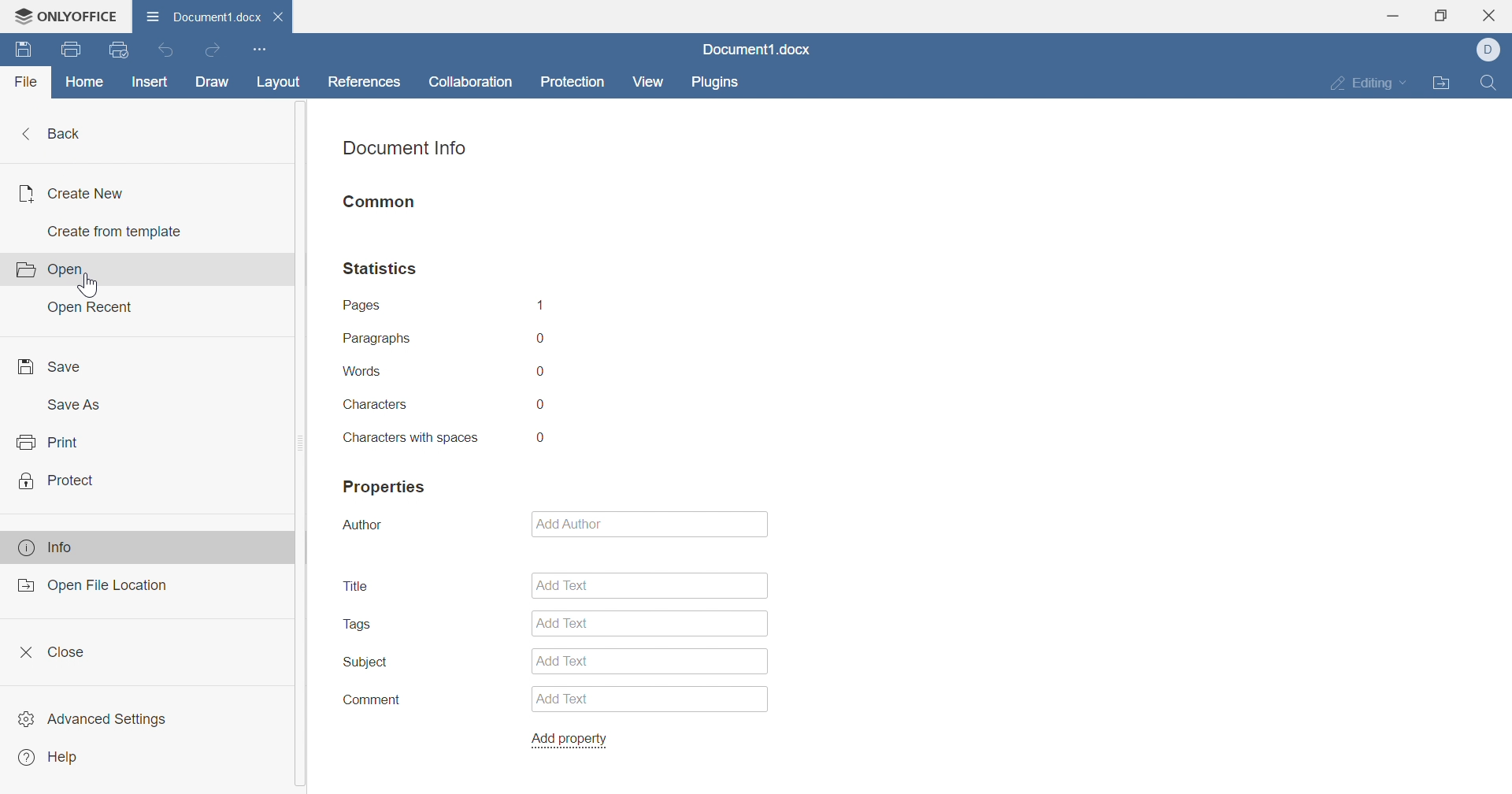  Describe the element at coordinates (156, 83) in the screenshot. I see `insert` at that location.